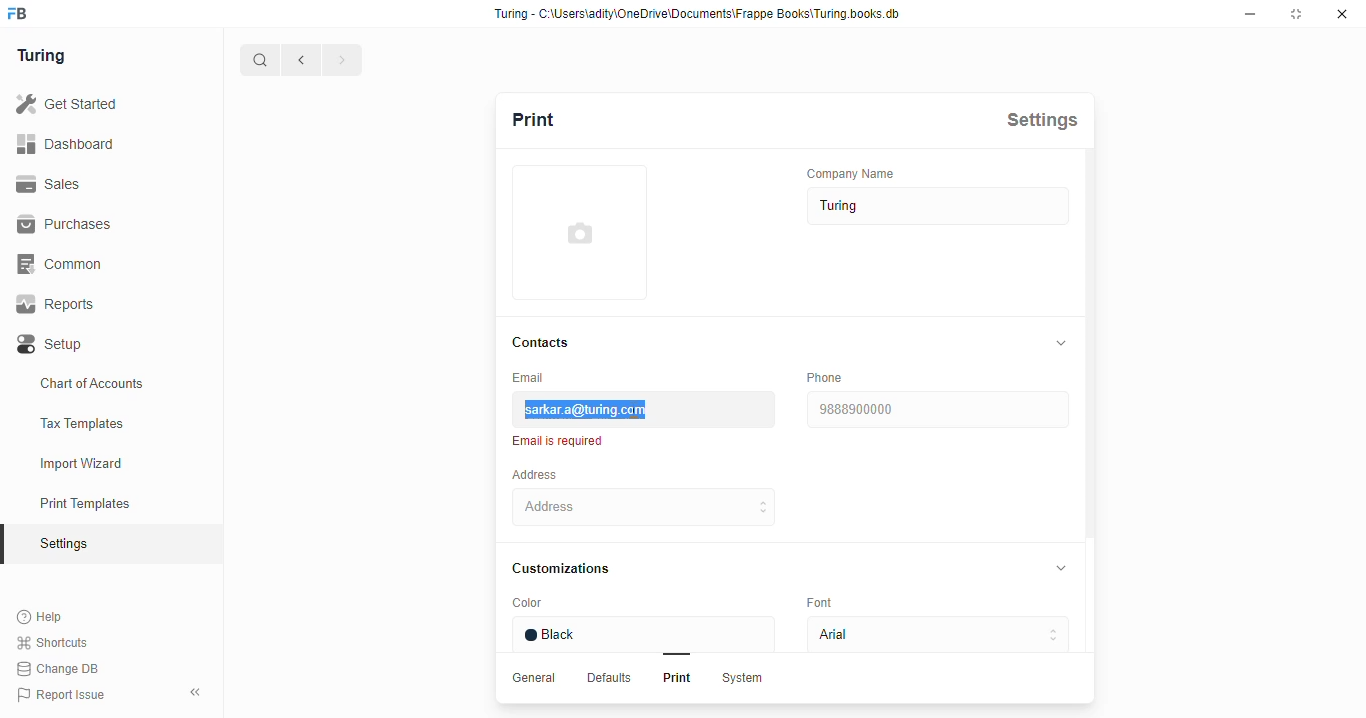 This screenshot has width=1366, height=718. Describe the element at coordinates (580, 243) in the screenshot. I see `add profile image` at that location.